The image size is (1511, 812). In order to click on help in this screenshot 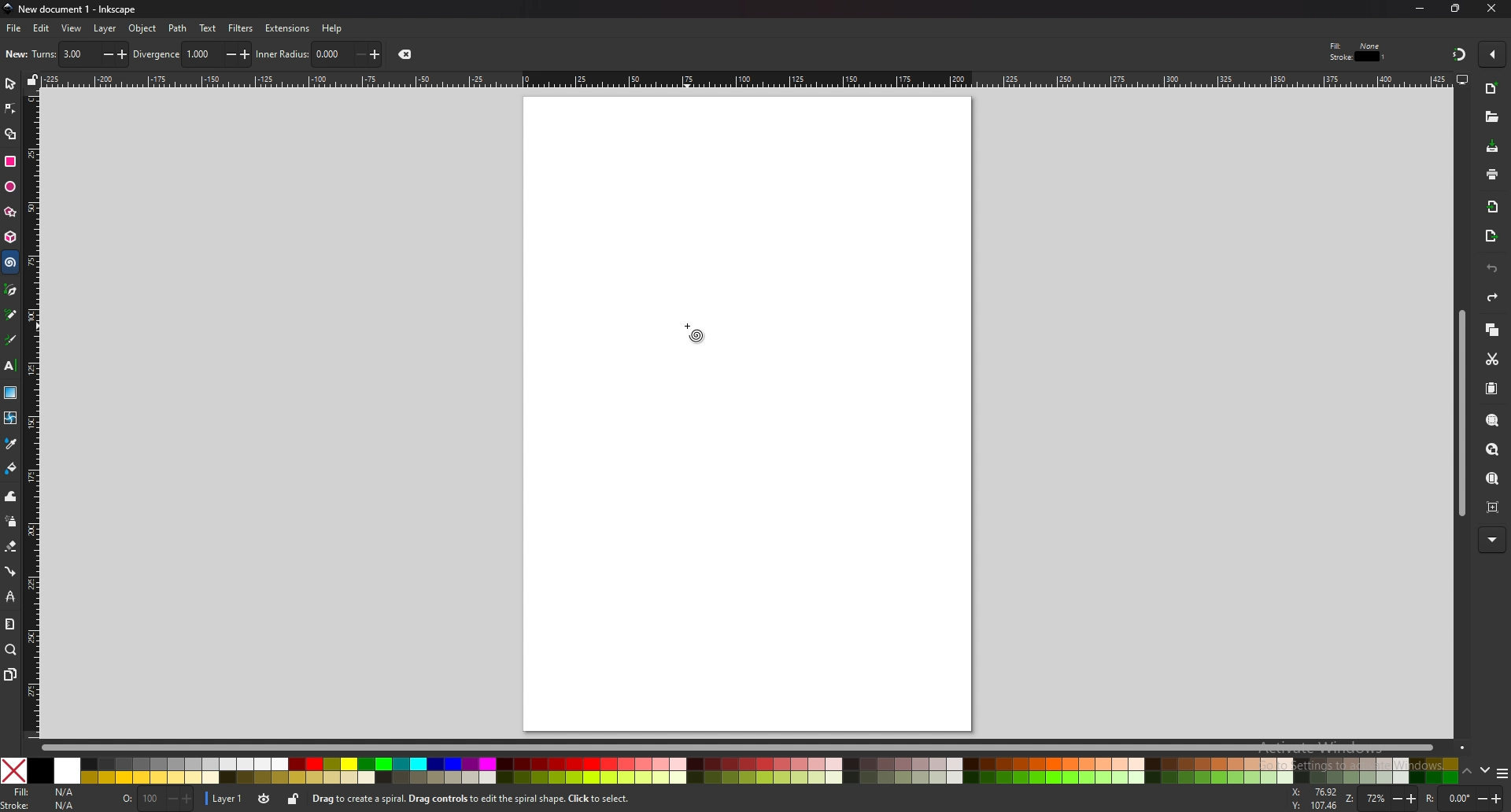, I will do `click(332, 28)`.